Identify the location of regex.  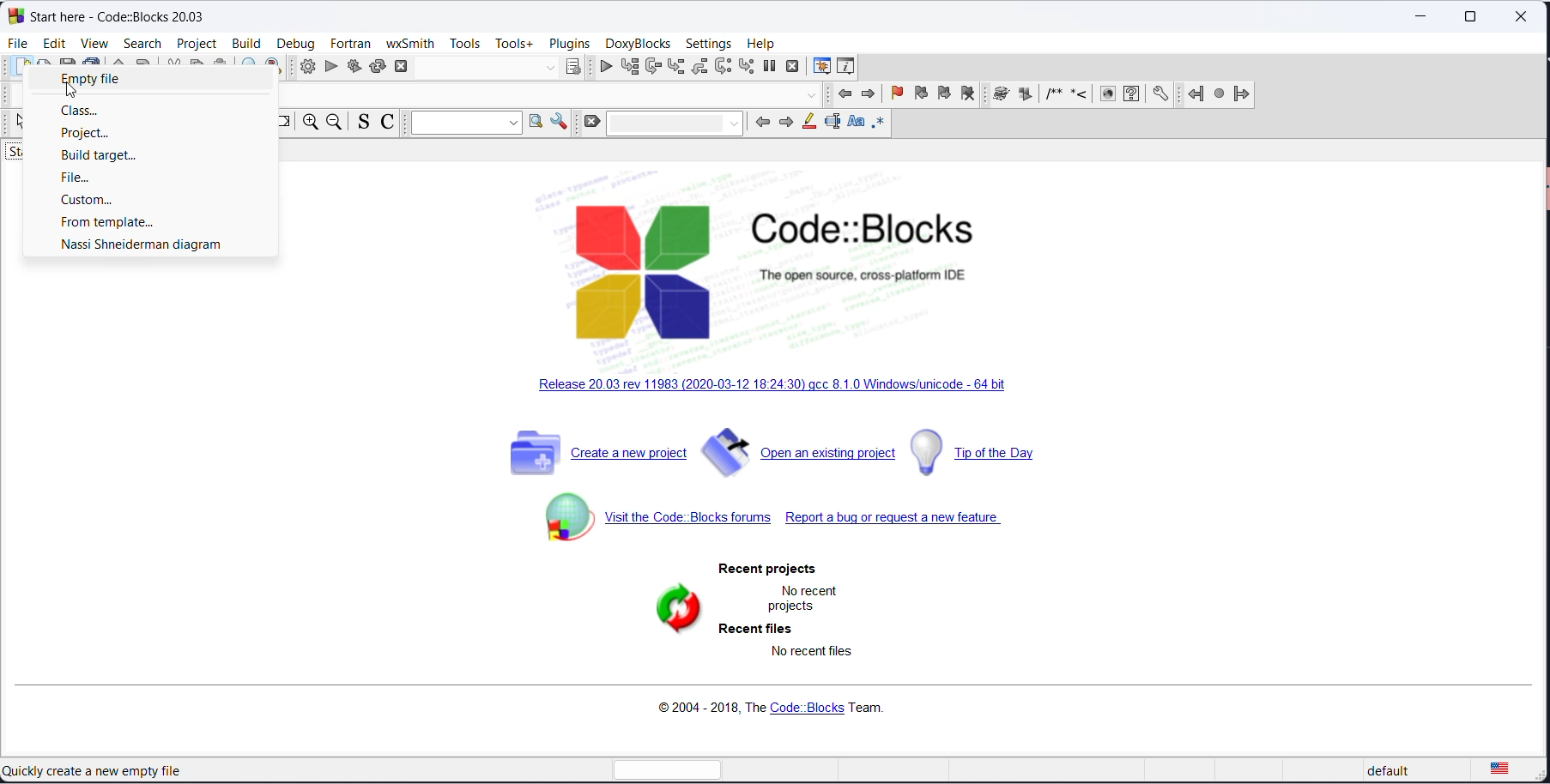
(881, 124).